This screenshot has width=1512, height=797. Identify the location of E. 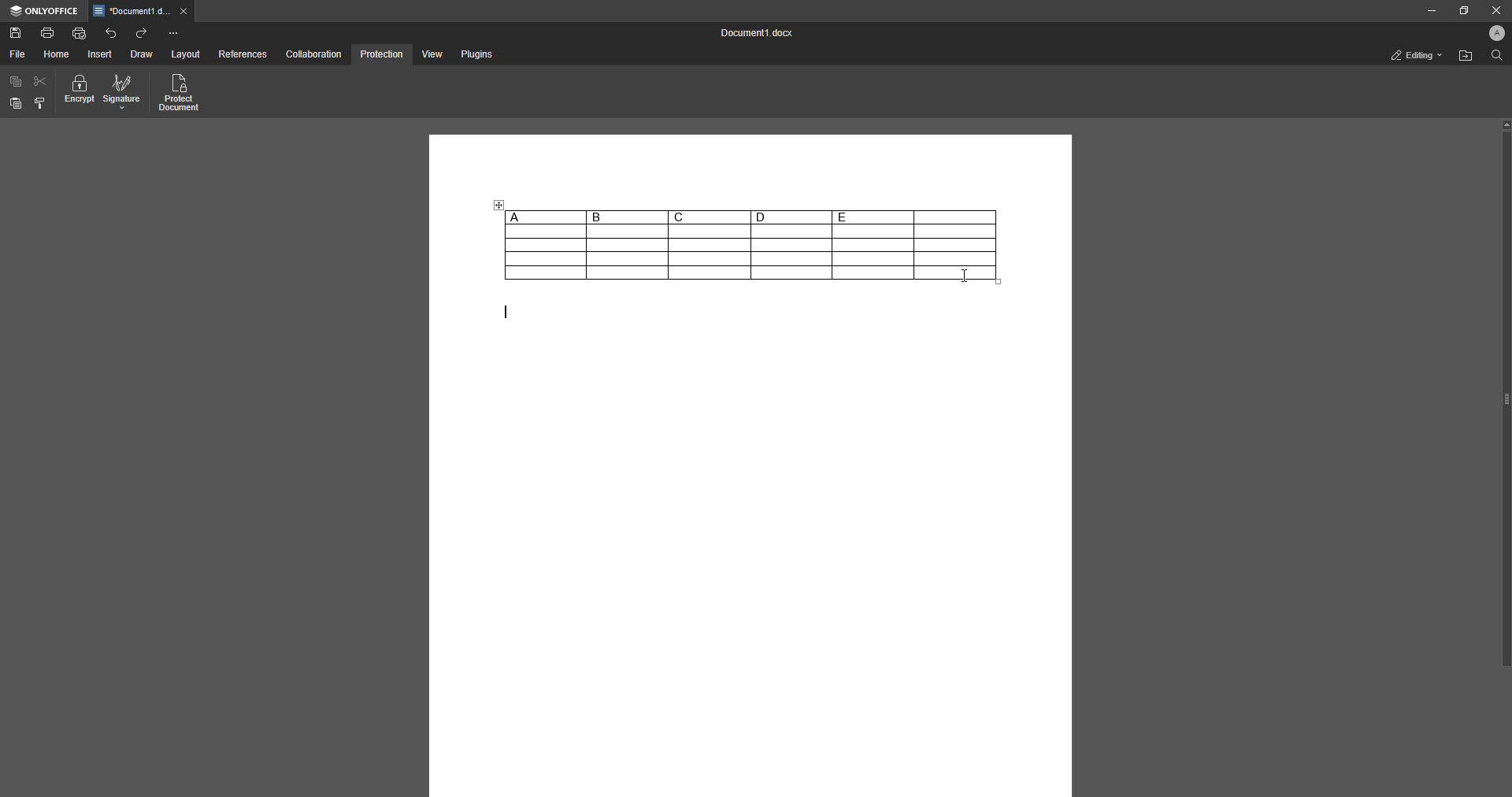
(873, 217).